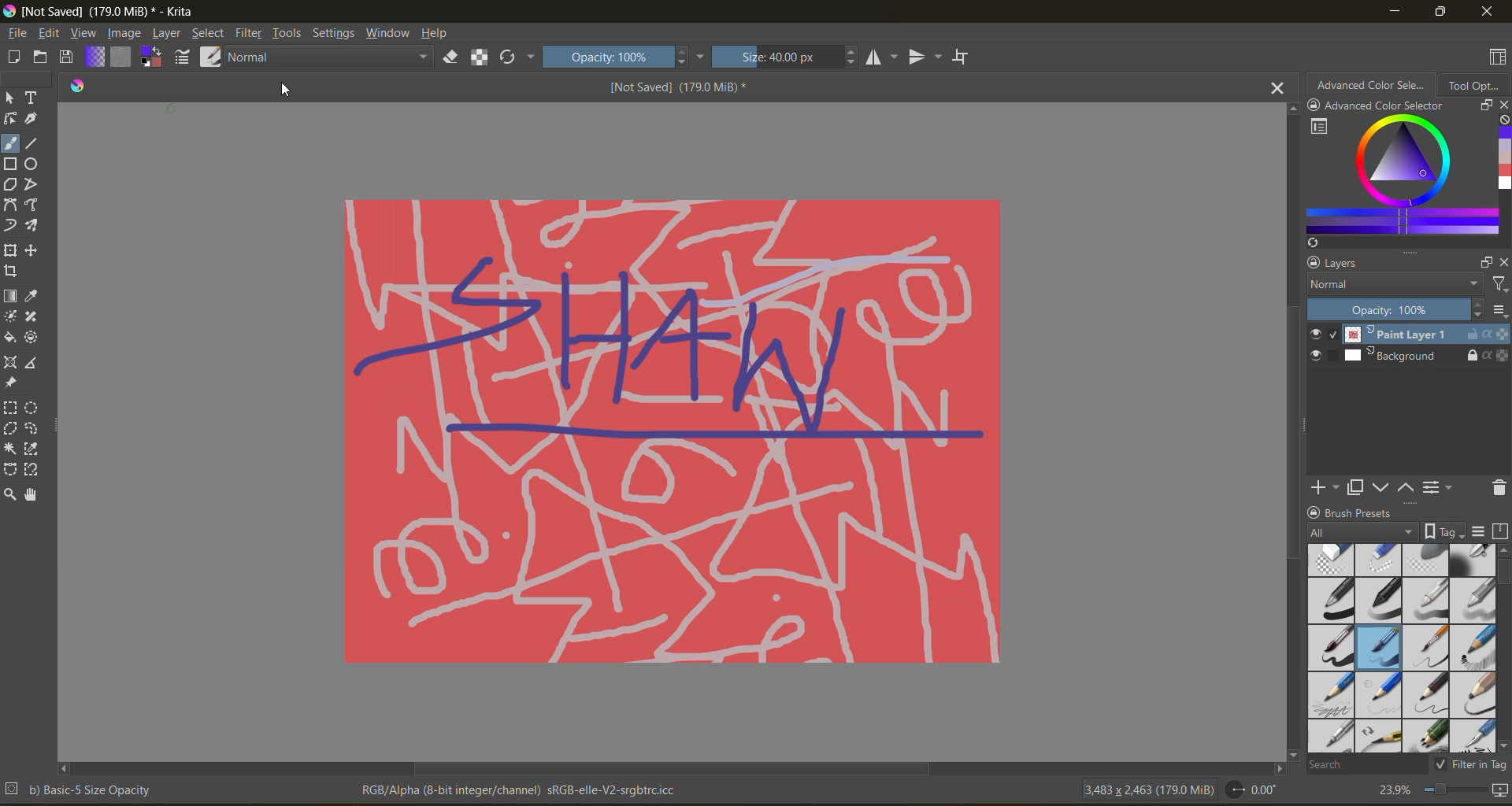 The height and width of the screenshot is (806, 1512). Describe the element at coordinates (1398, 182) in the screenshot. I see `advanced color selector` at that location.